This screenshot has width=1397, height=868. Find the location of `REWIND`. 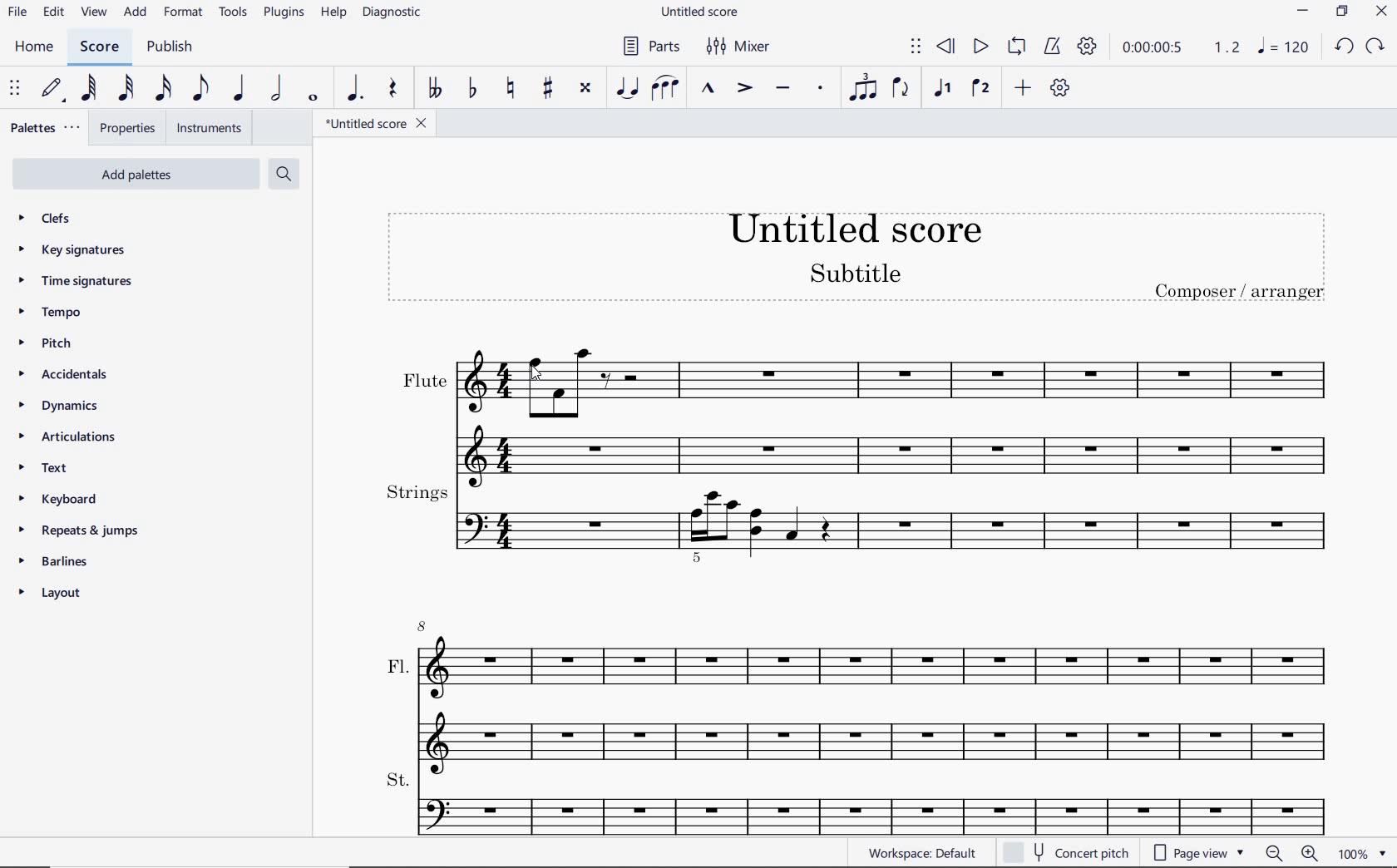

REWIND is located at coordinates (943, 47).